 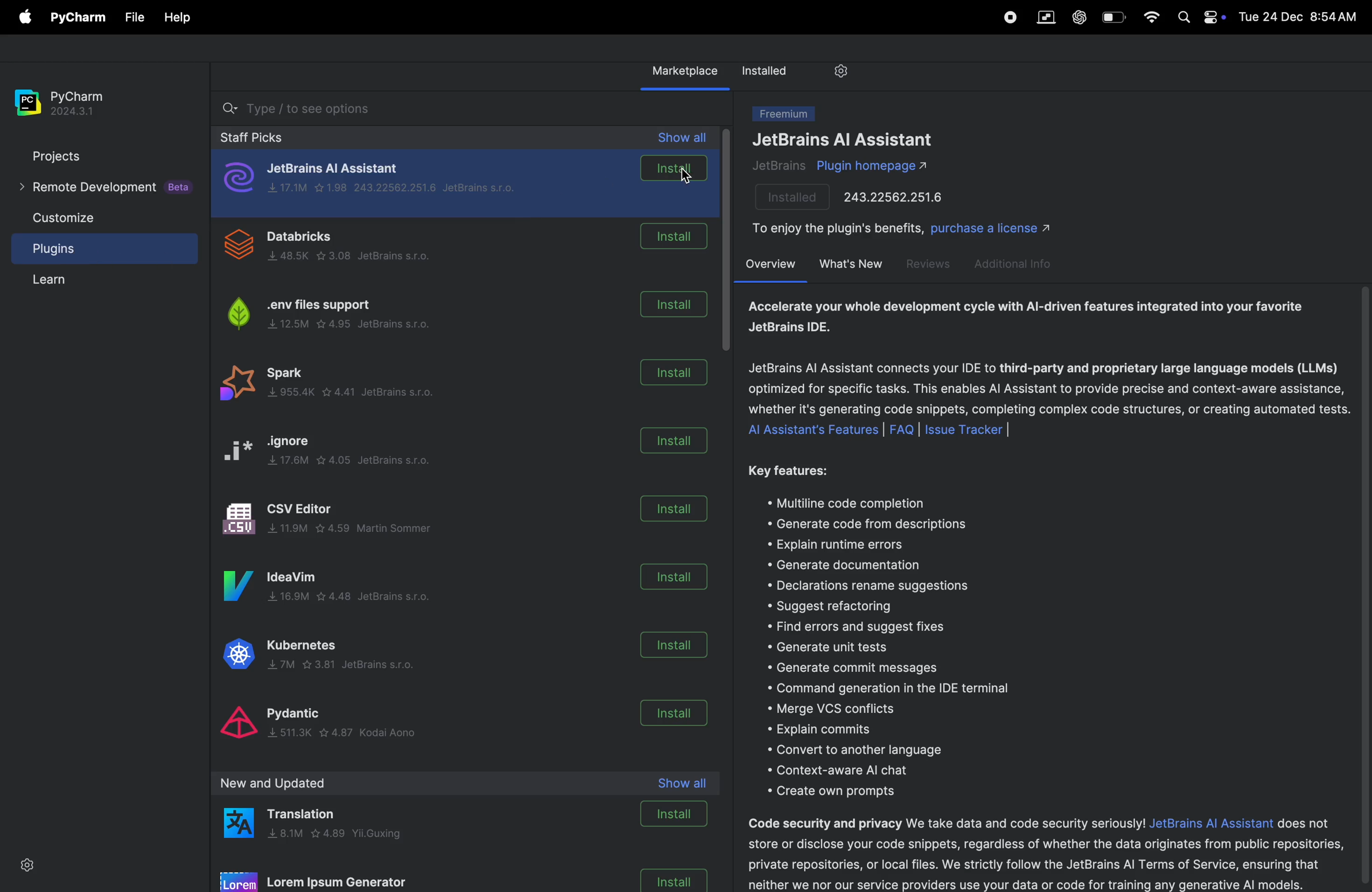 I want to click on whats new, so click(x=851, y=264).